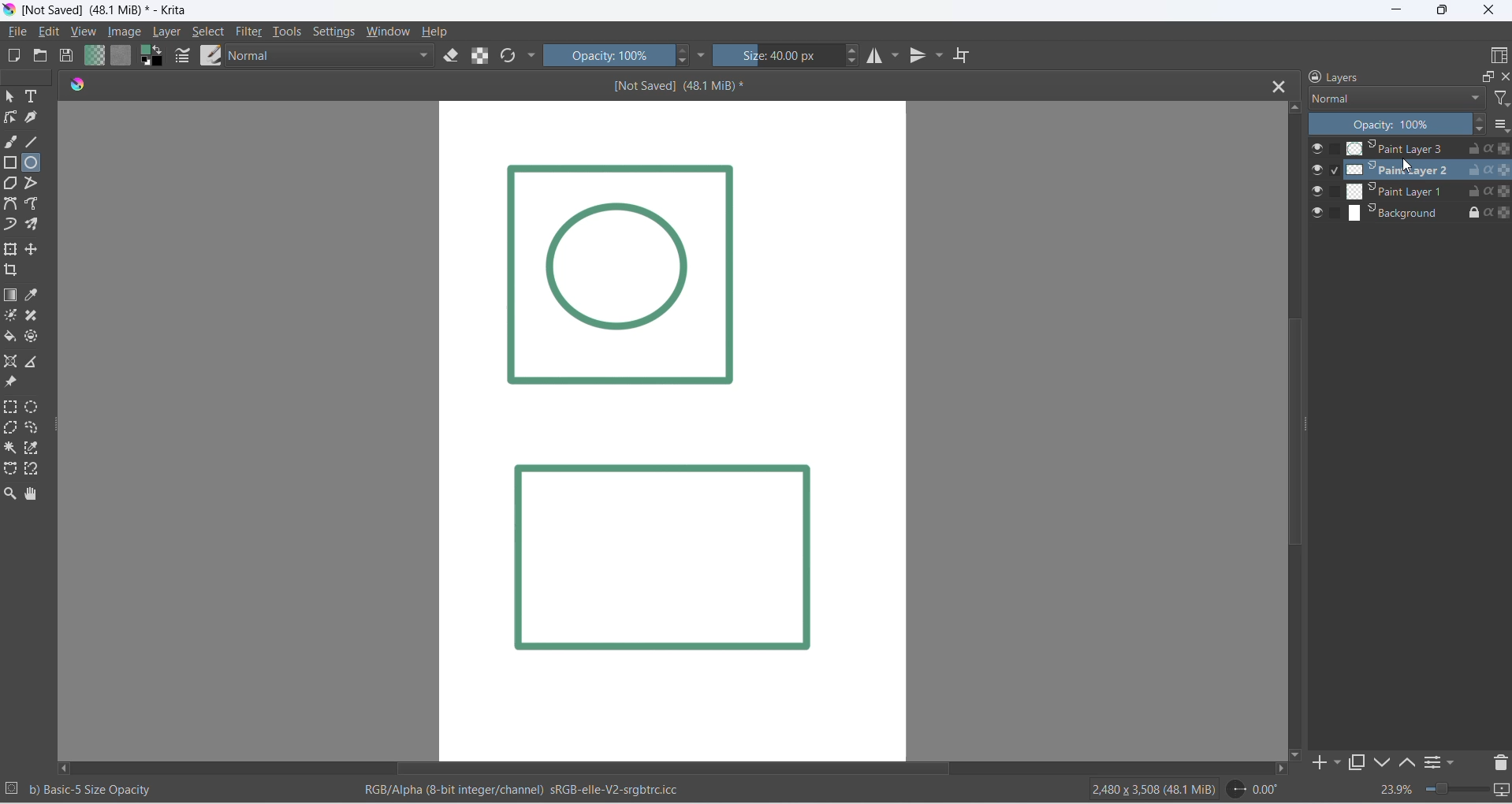 The width and height of the screenshot is (1512, 804). What do you see at coordinates (1470, 188) in the screenshot?
I see `unlock` at bounding box center [1470, 188].